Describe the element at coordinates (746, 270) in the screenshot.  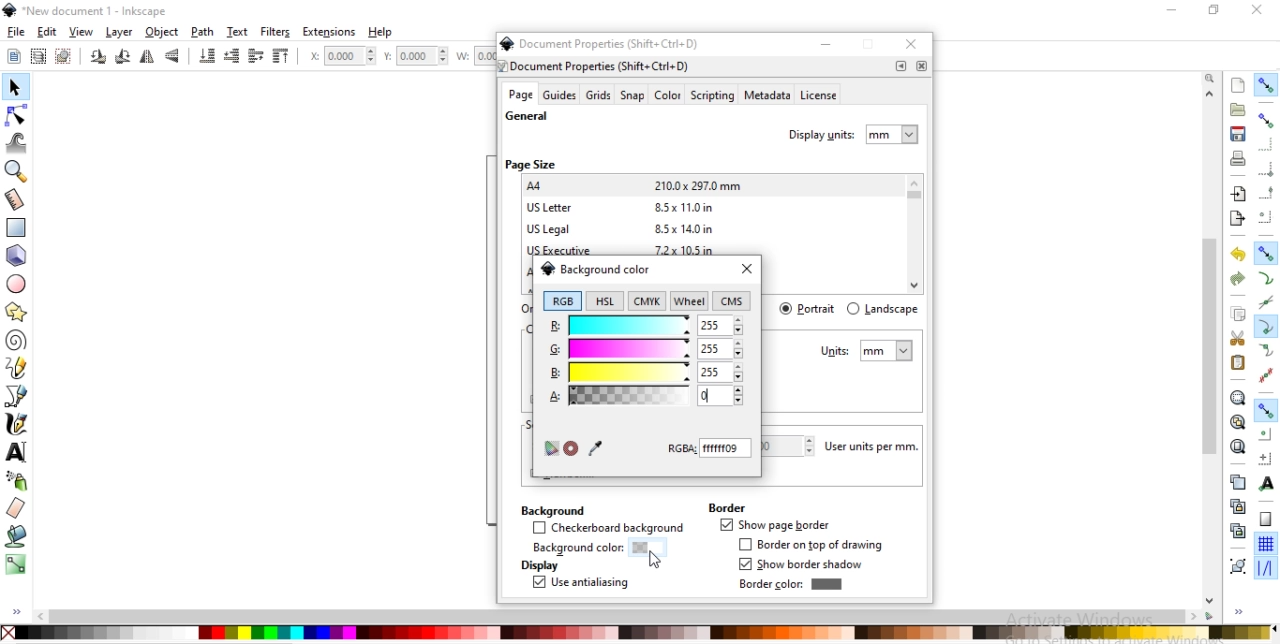
I see `close` at that location.